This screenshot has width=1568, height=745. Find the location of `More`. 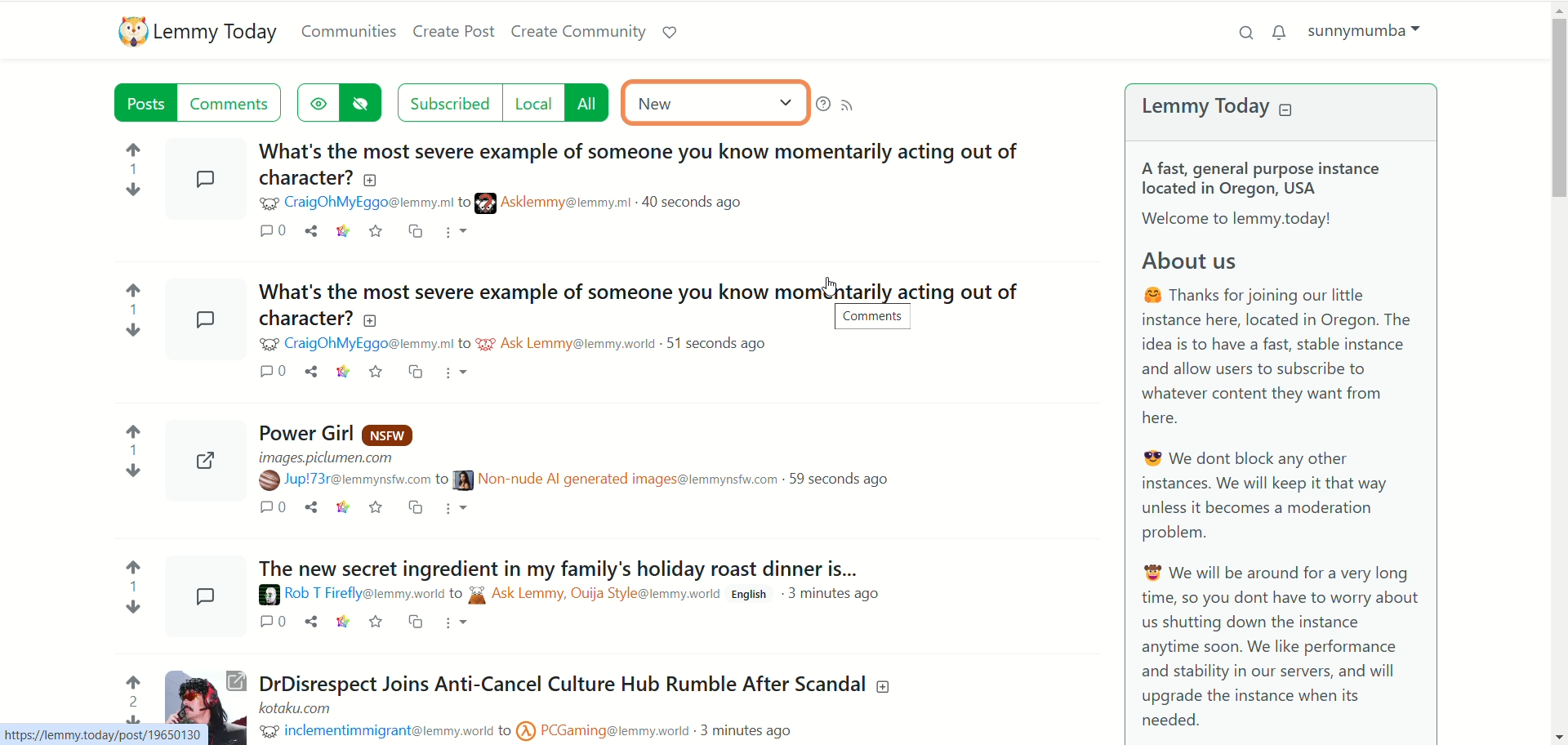

More is located at coordinates (459, 622).